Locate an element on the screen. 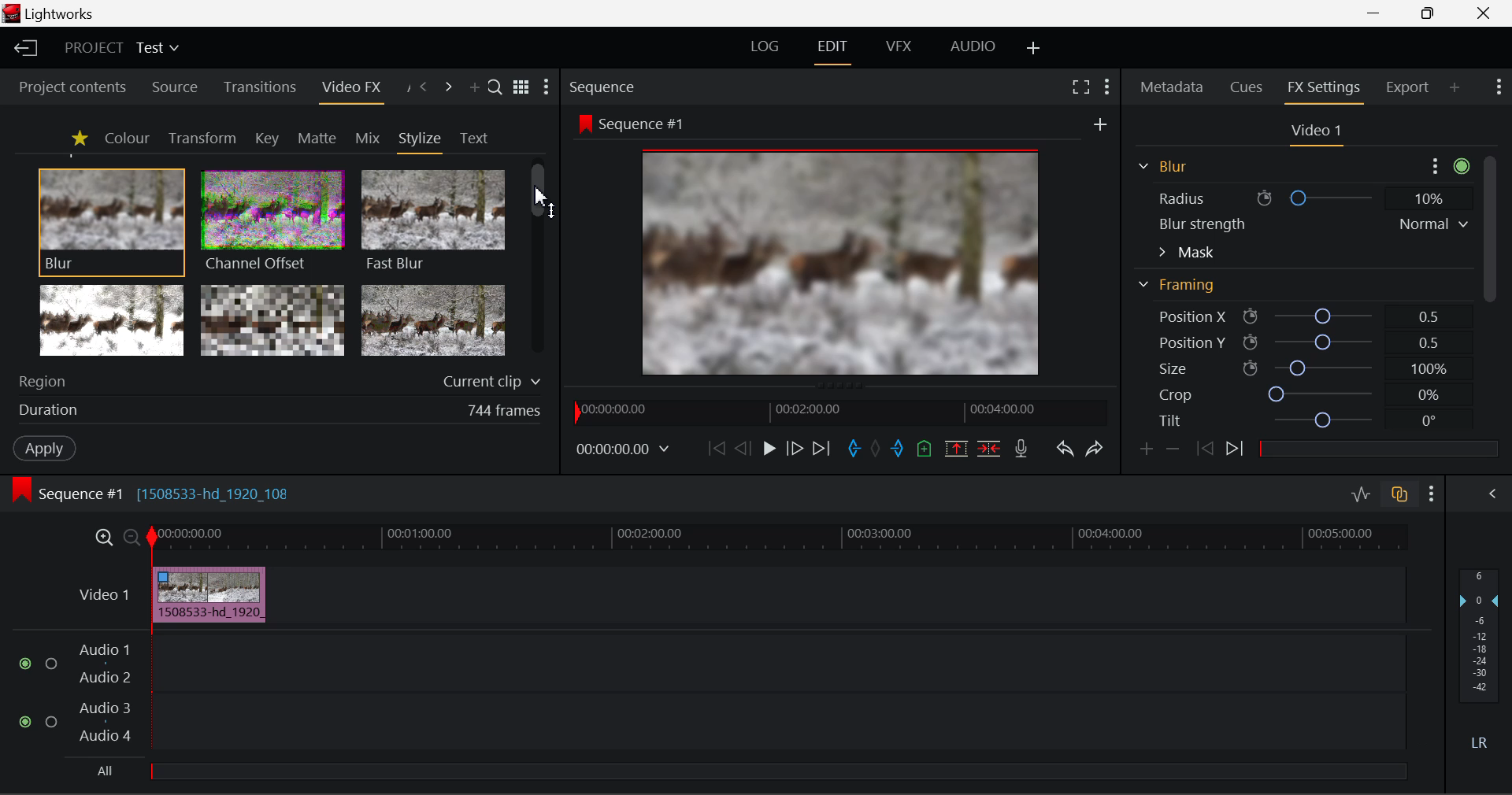  Sequence #1 Edit Timeline is located at coordinates (157, 492).